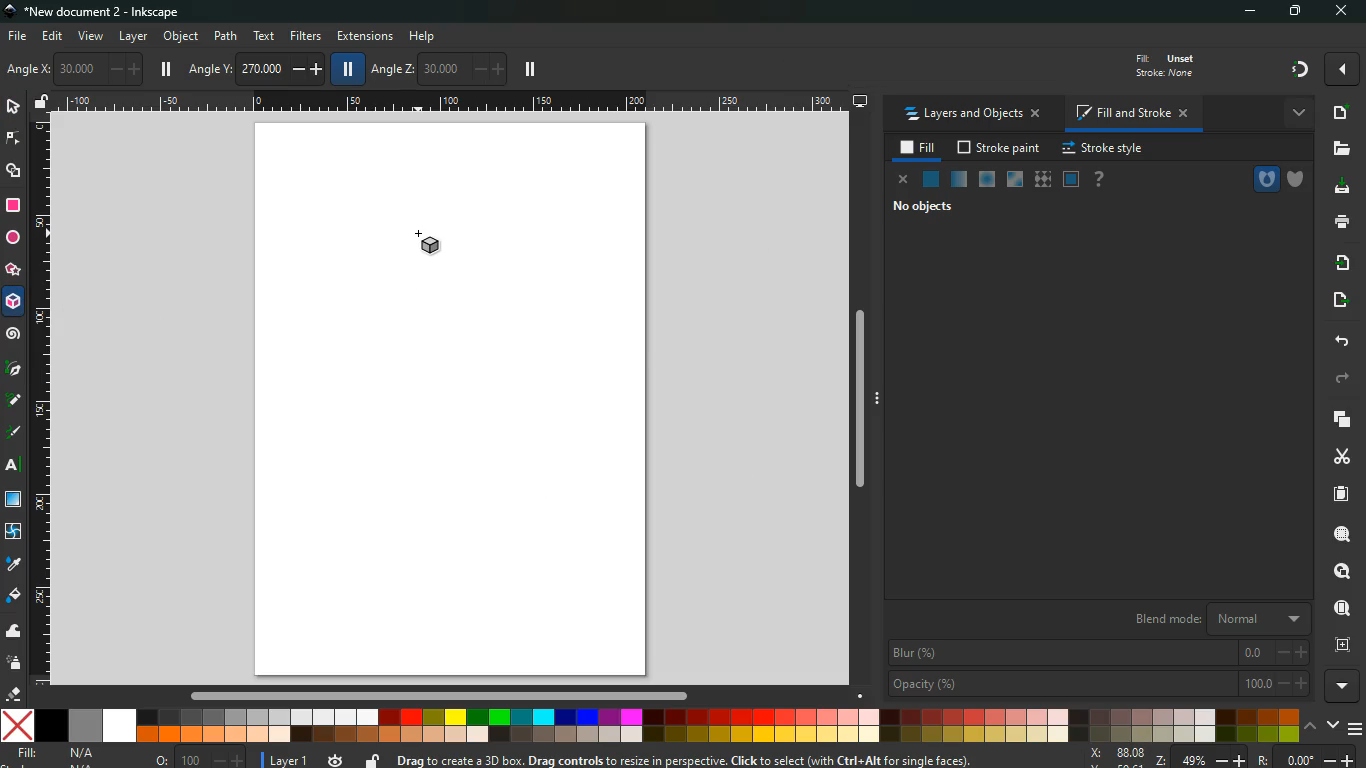 The width and height of the screenshot is (1366, 768). I want to click on 3d tool, so click(431, 246).